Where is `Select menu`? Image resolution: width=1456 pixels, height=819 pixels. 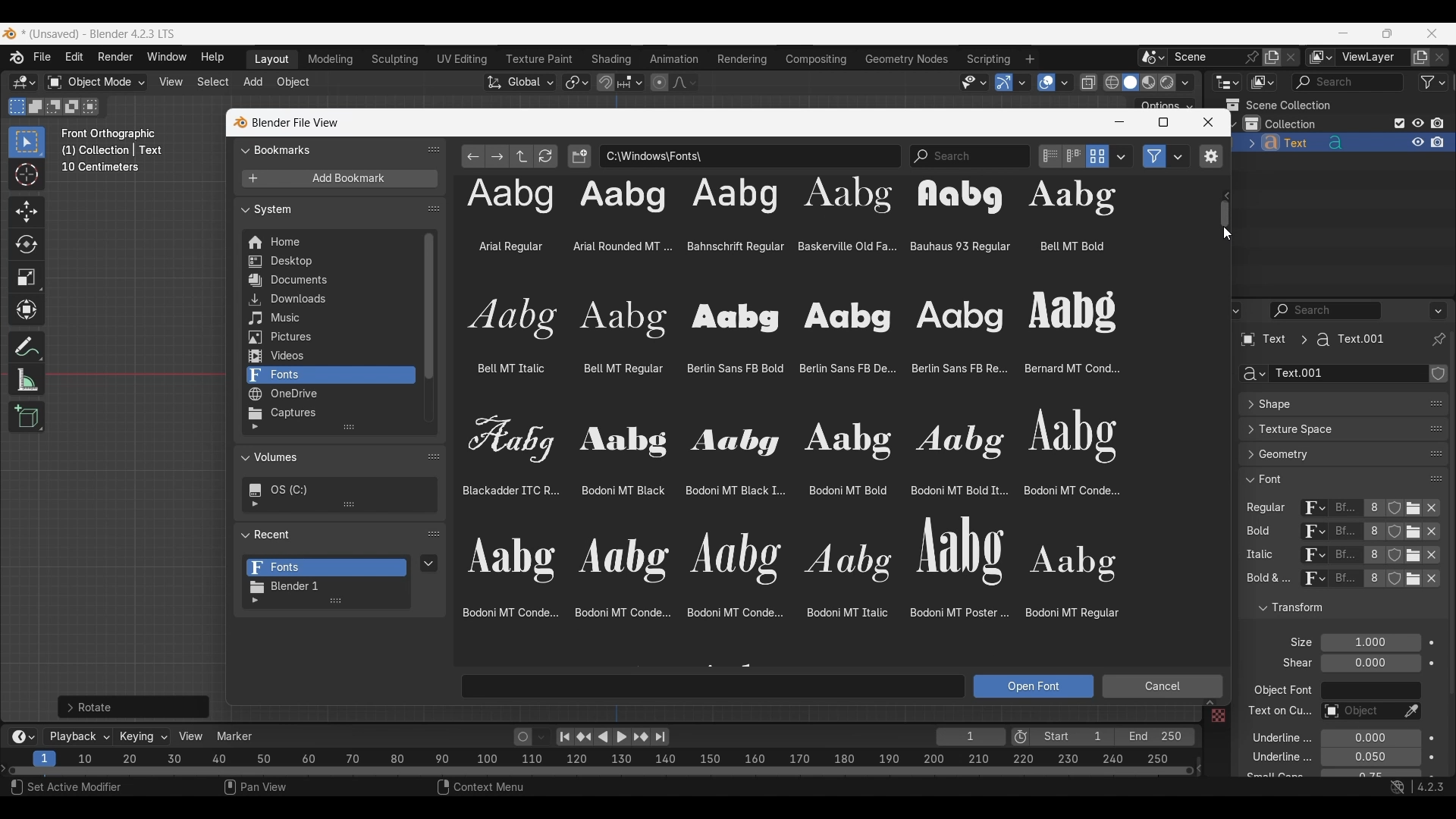 Select menu is located at coordinates (213, 83).